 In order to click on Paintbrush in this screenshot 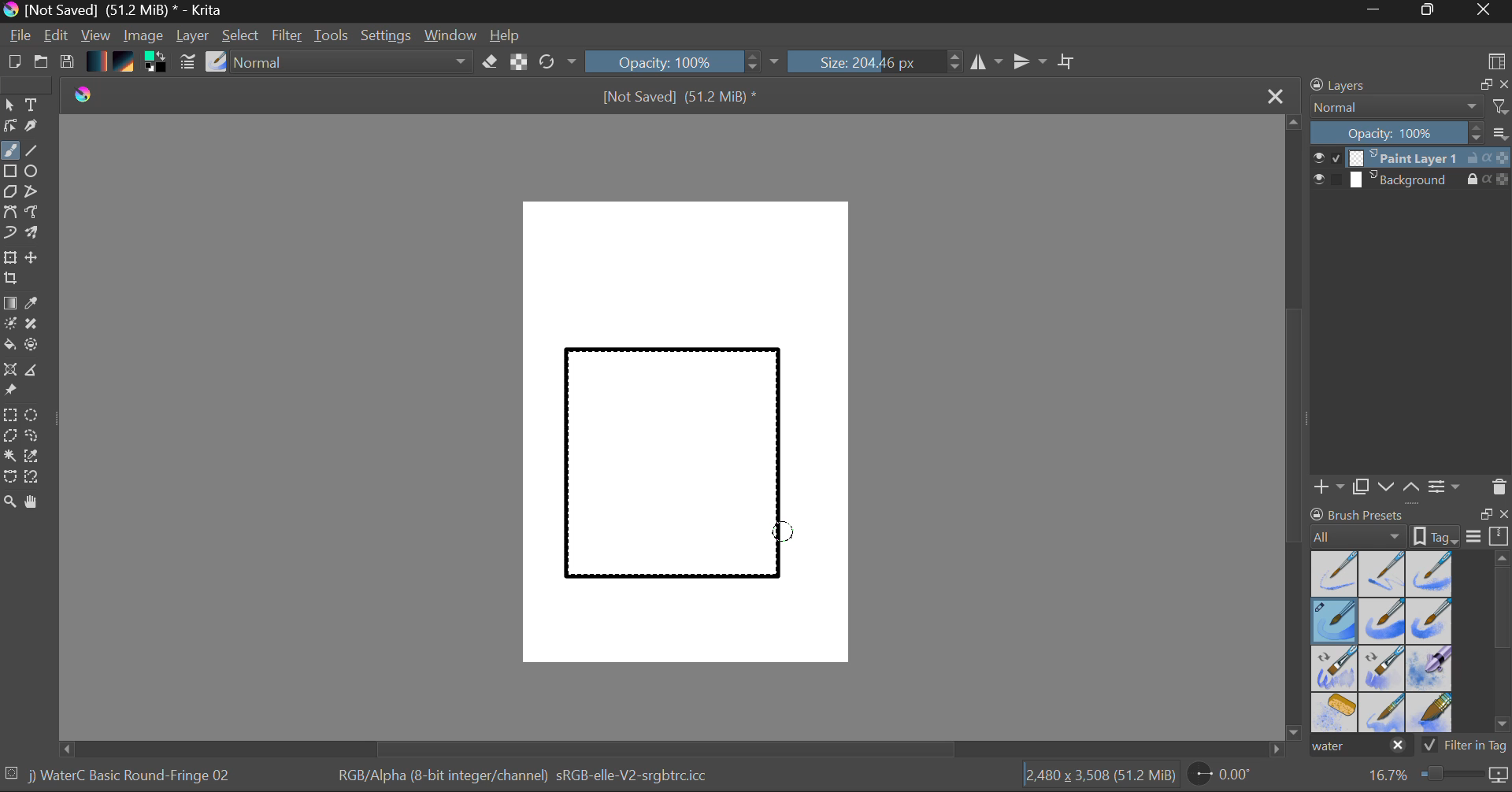, I will do `click(9, 152)`.